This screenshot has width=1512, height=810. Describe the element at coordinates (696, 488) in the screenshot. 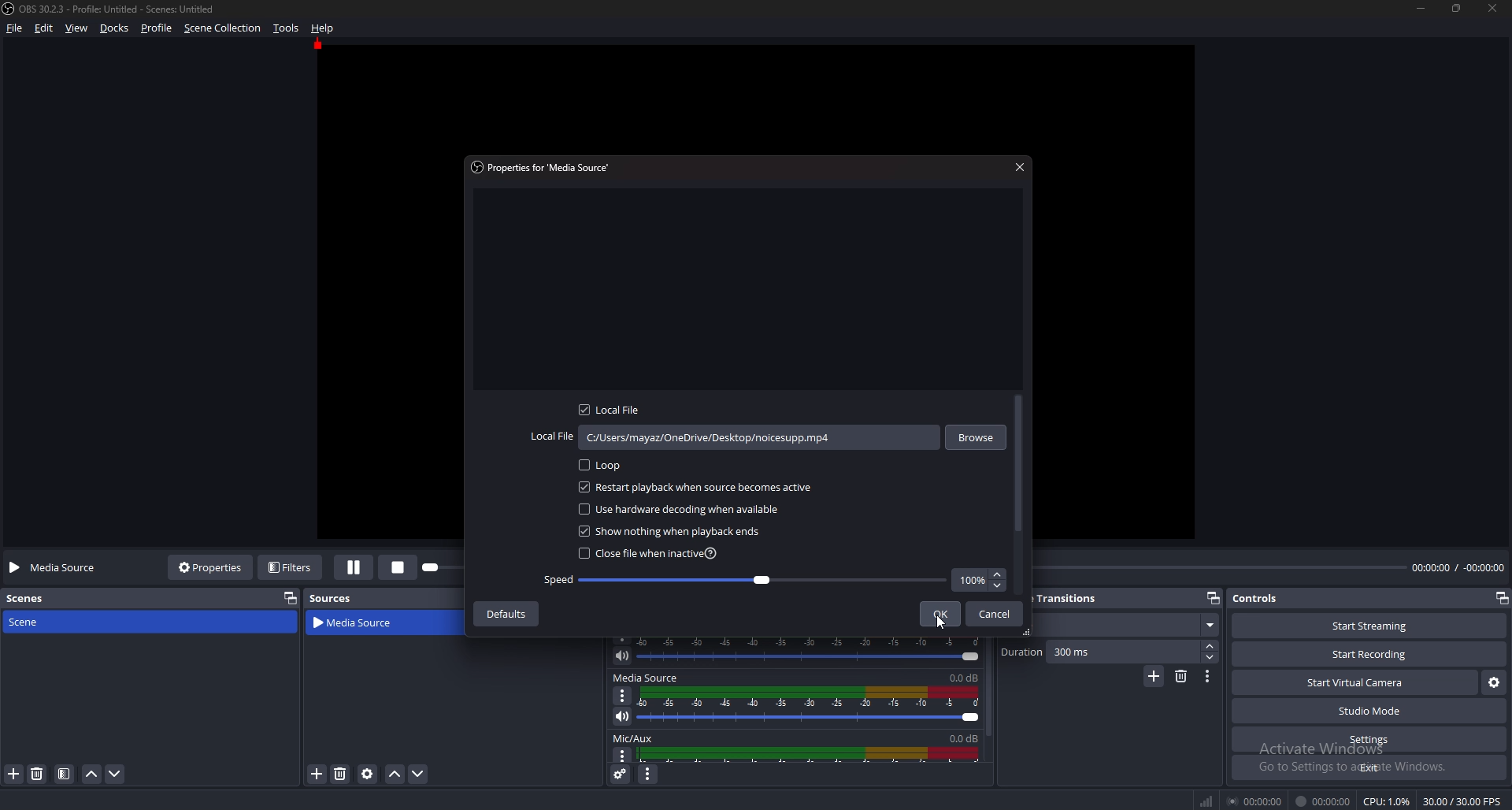

I see `Restart playback when source becomes active` at that location.